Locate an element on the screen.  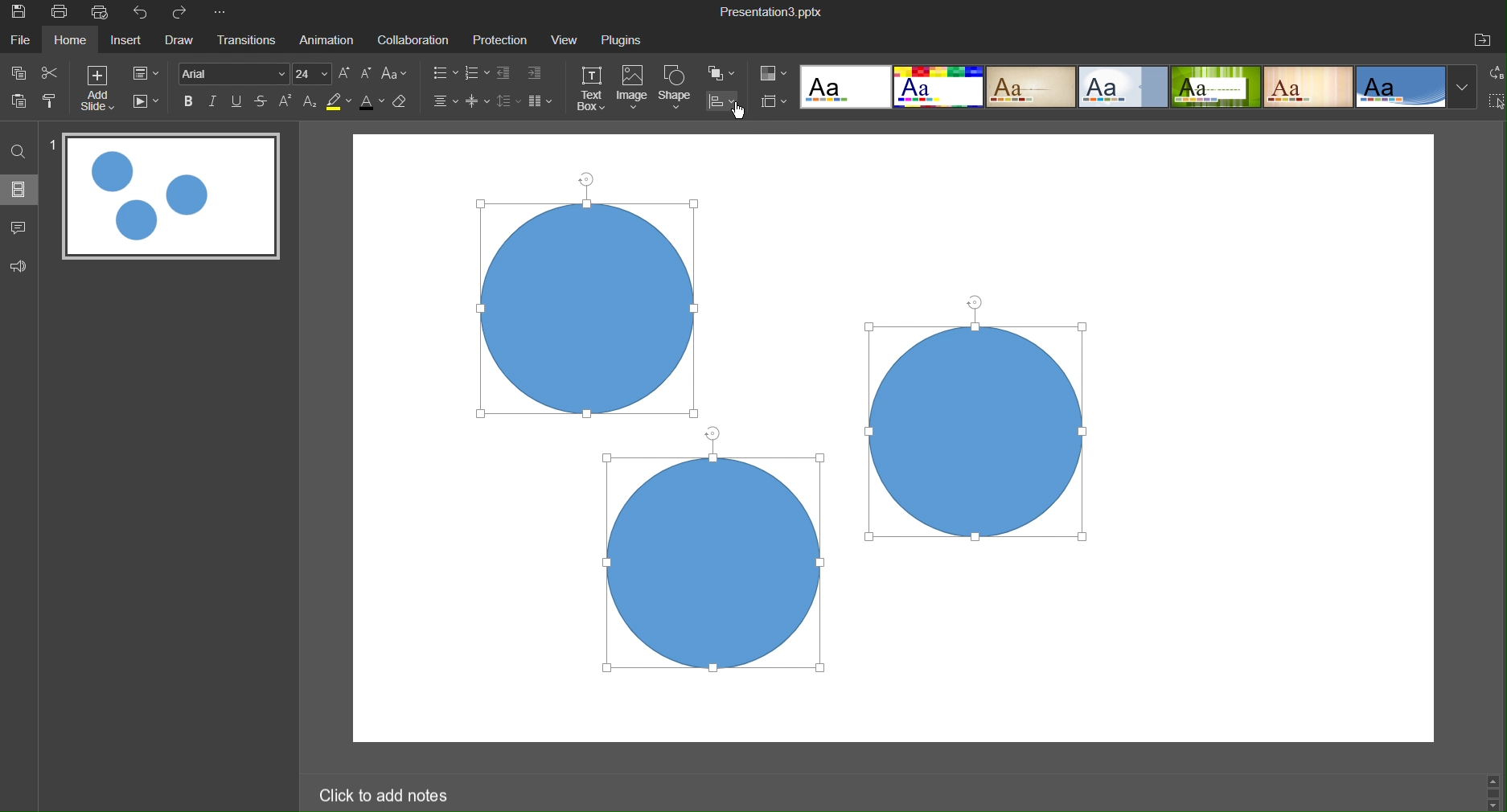
Slide Size Settings is located at coordinates (774, 101).